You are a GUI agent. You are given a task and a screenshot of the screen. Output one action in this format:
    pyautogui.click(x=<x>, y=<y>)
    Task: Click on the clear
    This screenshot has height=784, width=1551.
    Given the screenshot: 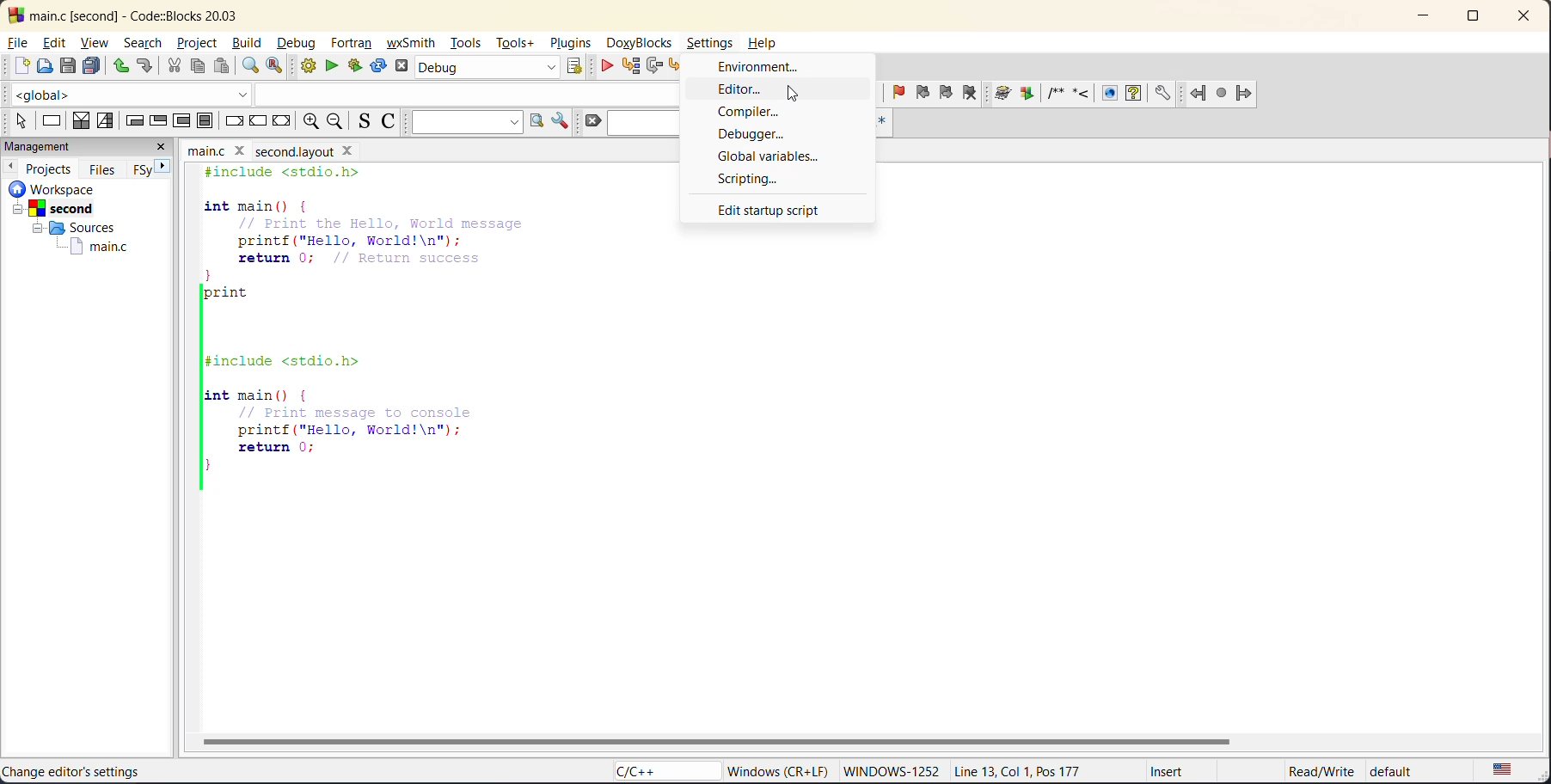 What is the action you would take?
    pyautogui.click(x=591, y=120)
    